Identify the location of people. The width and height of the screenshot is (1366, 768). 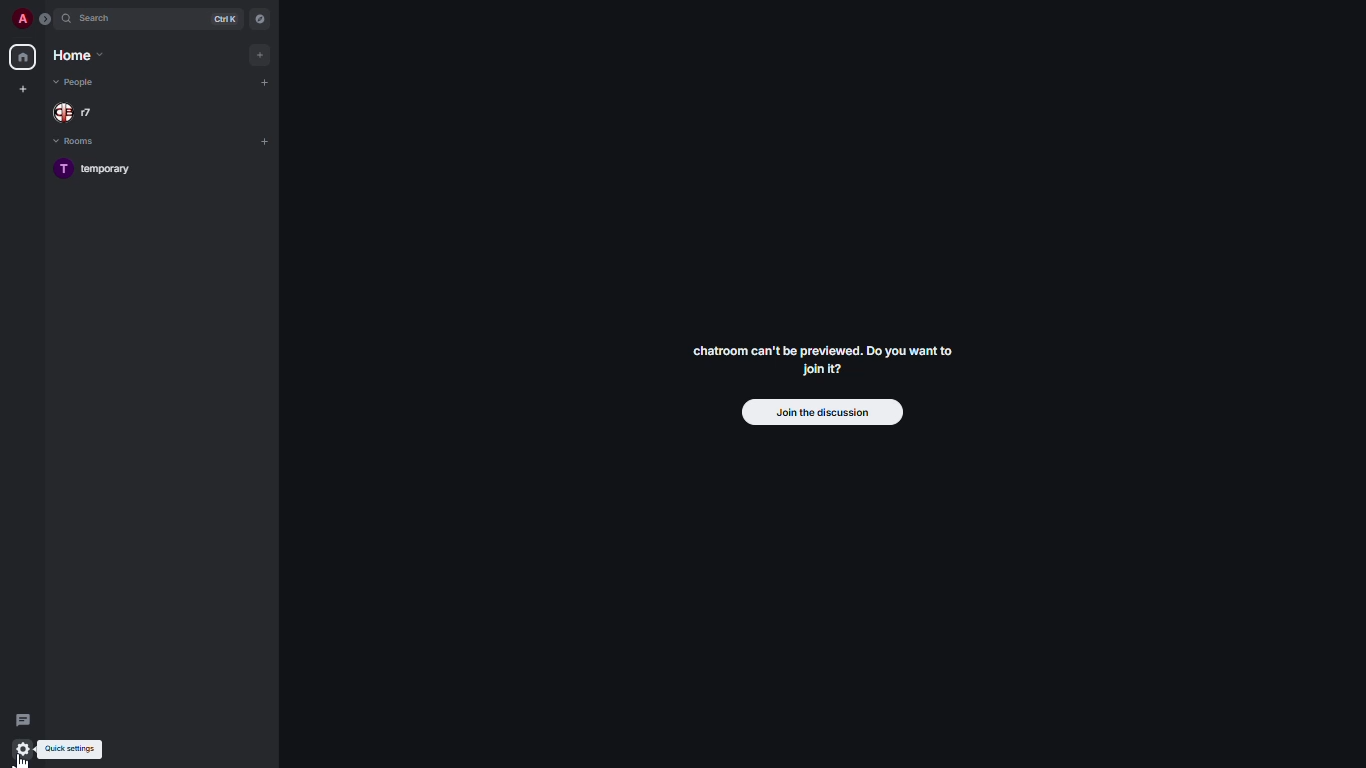
(78, 82).